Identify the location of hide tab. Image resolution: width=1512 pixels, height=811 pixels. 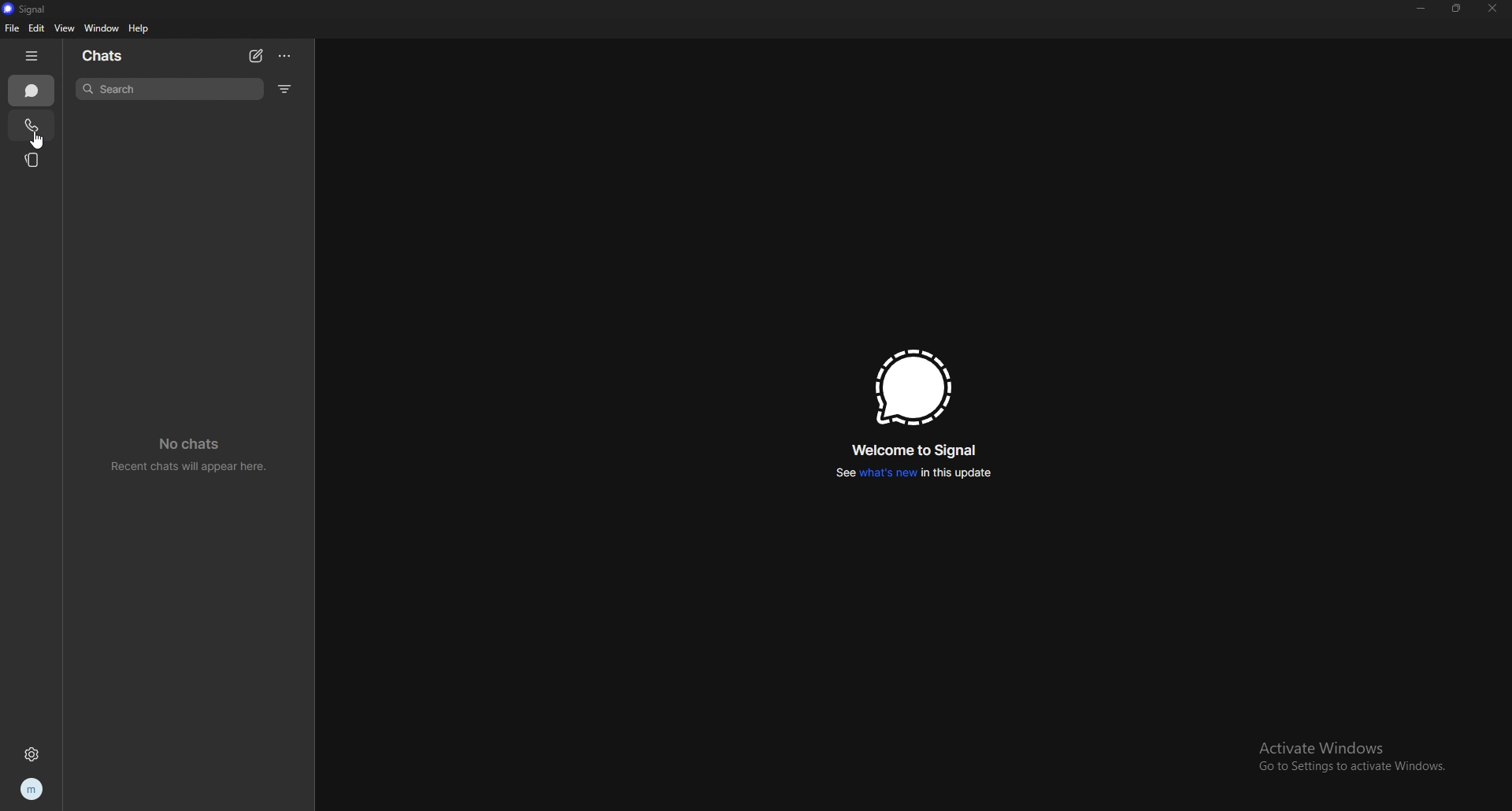
(32, 54).